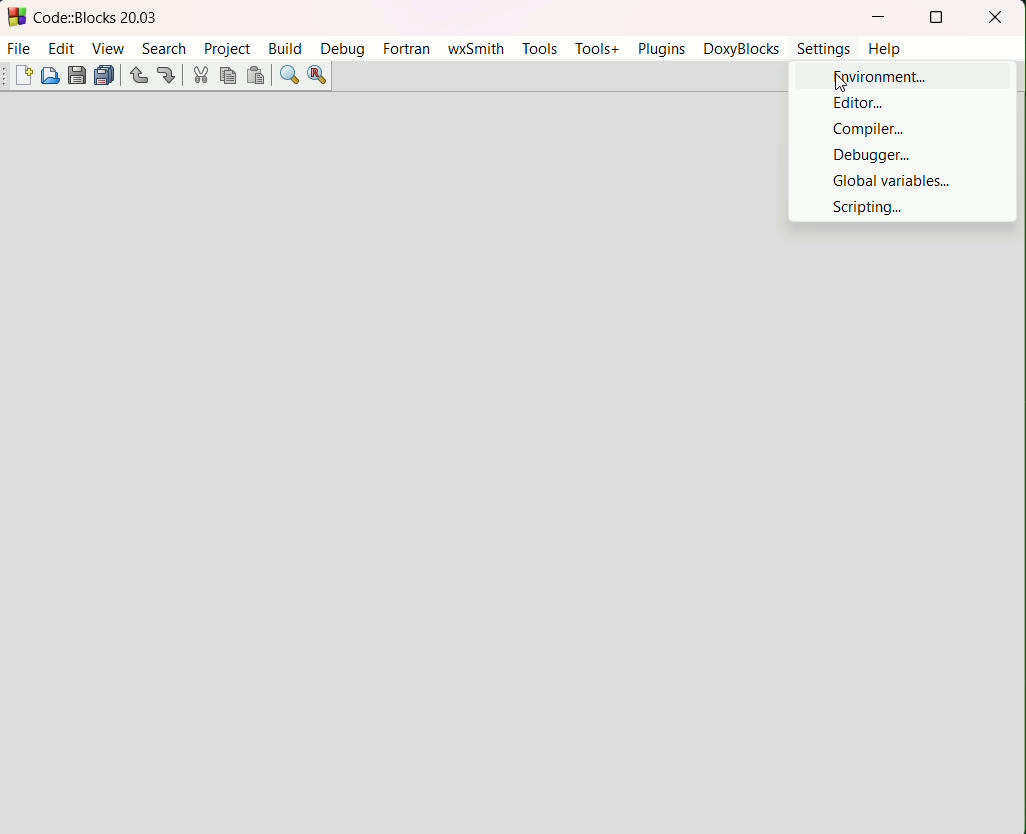 Image resolution: width=1026 pixels, height=834 pixels. Describe the element at coordinates (934, 18) in the screenshot. I see `fullscreen` at that location.